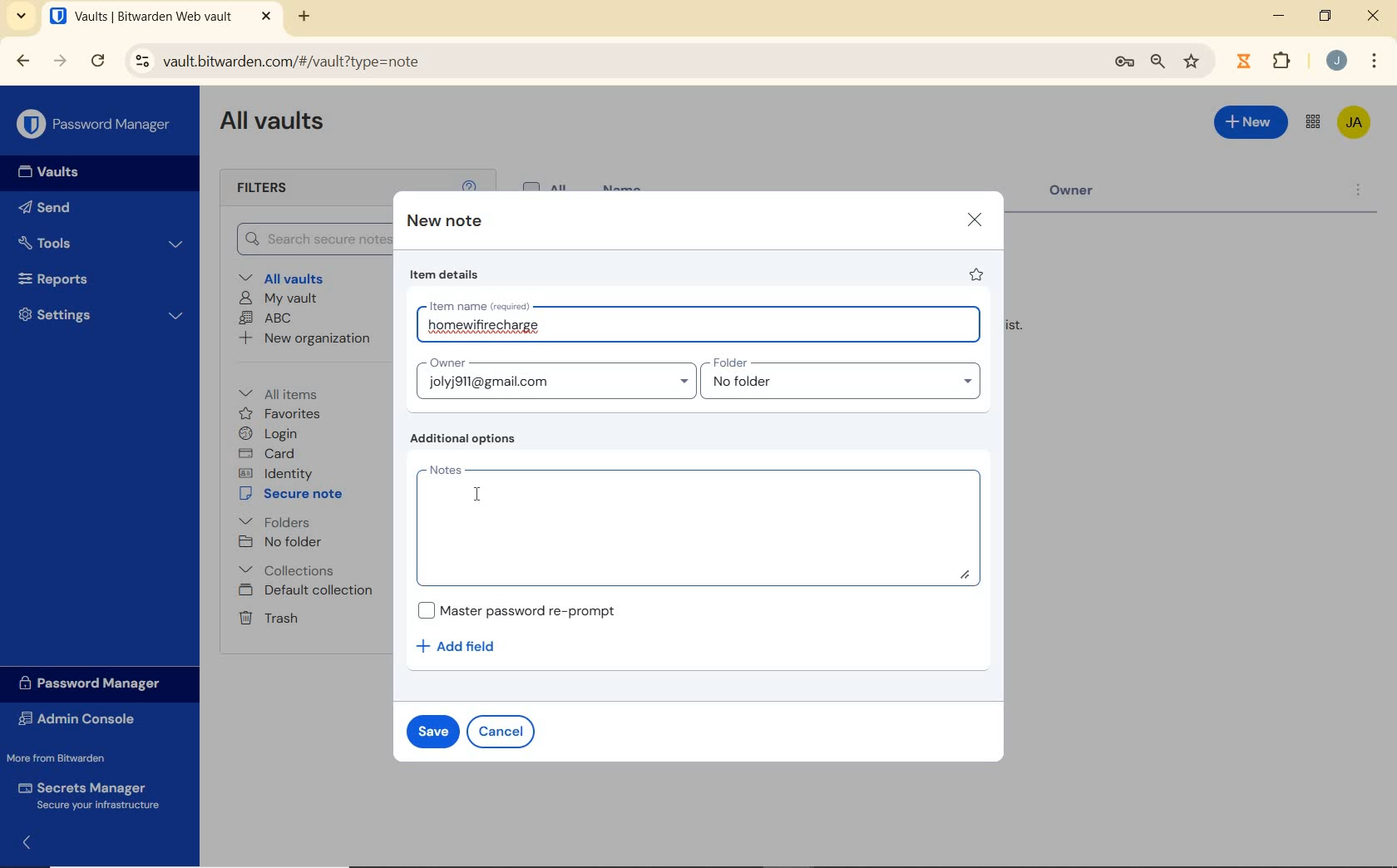  Describe the element at coordinates (1193, 62) in the screenshot. I see `bookmark` at that location.